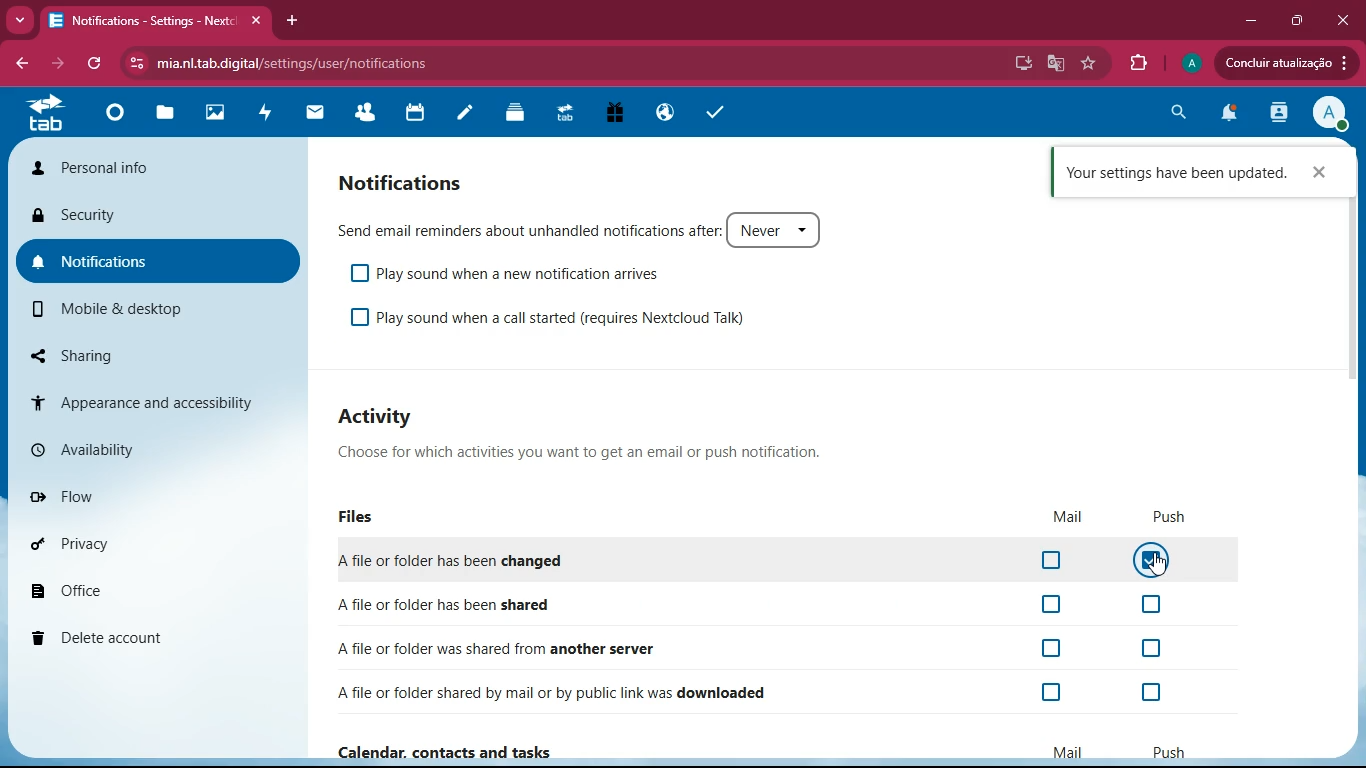 The width and height of the screenshot is (1366, 768). What do you see at coordinates (1354, 306) in the screenshot?
I see `scrollbar` at bounding box center [1354, 306].